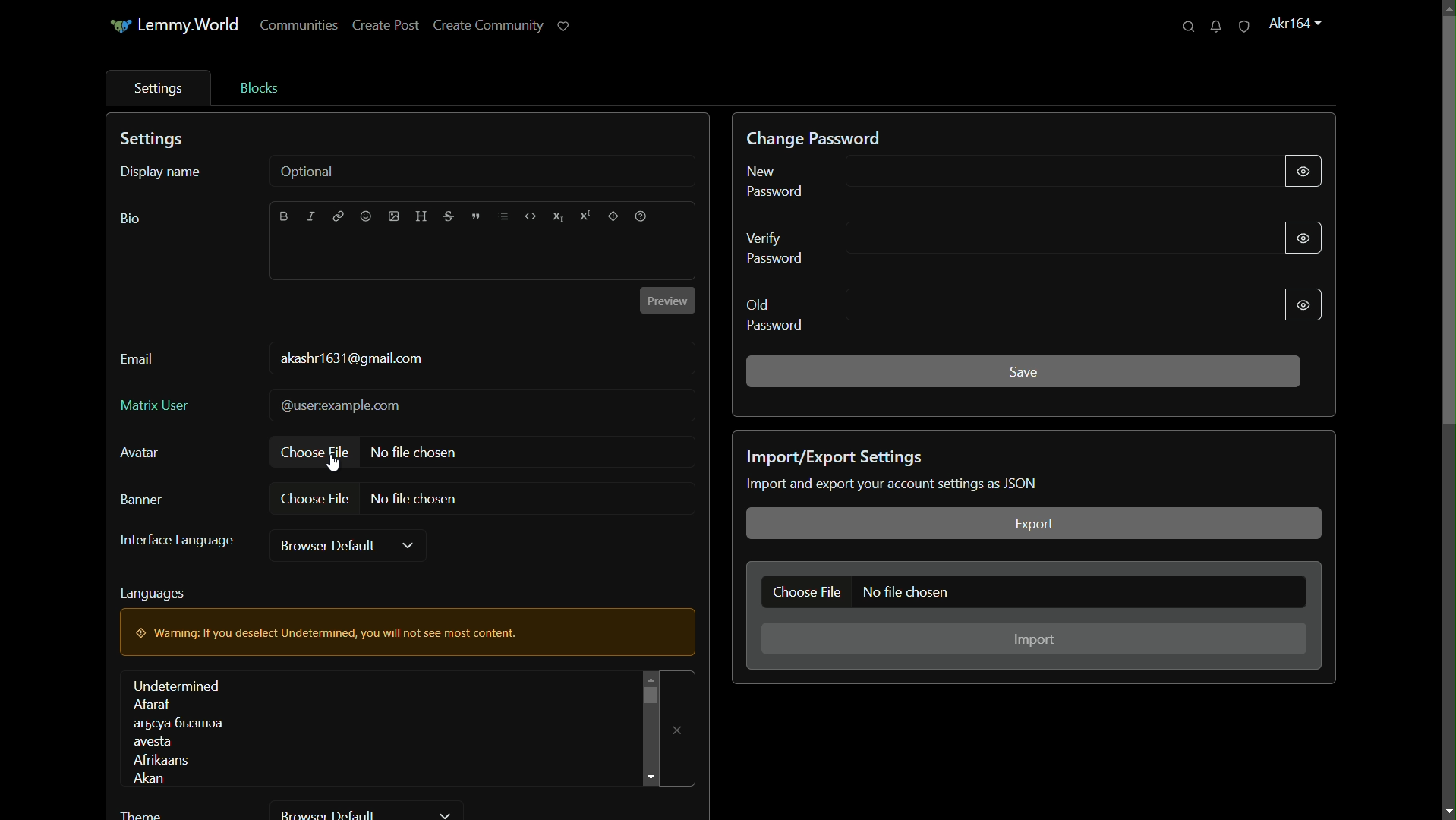 This screenshot has height=820, width=1456. Describe the element at coordinates (1032, 524) in the screenshot. I see `export` at that location.